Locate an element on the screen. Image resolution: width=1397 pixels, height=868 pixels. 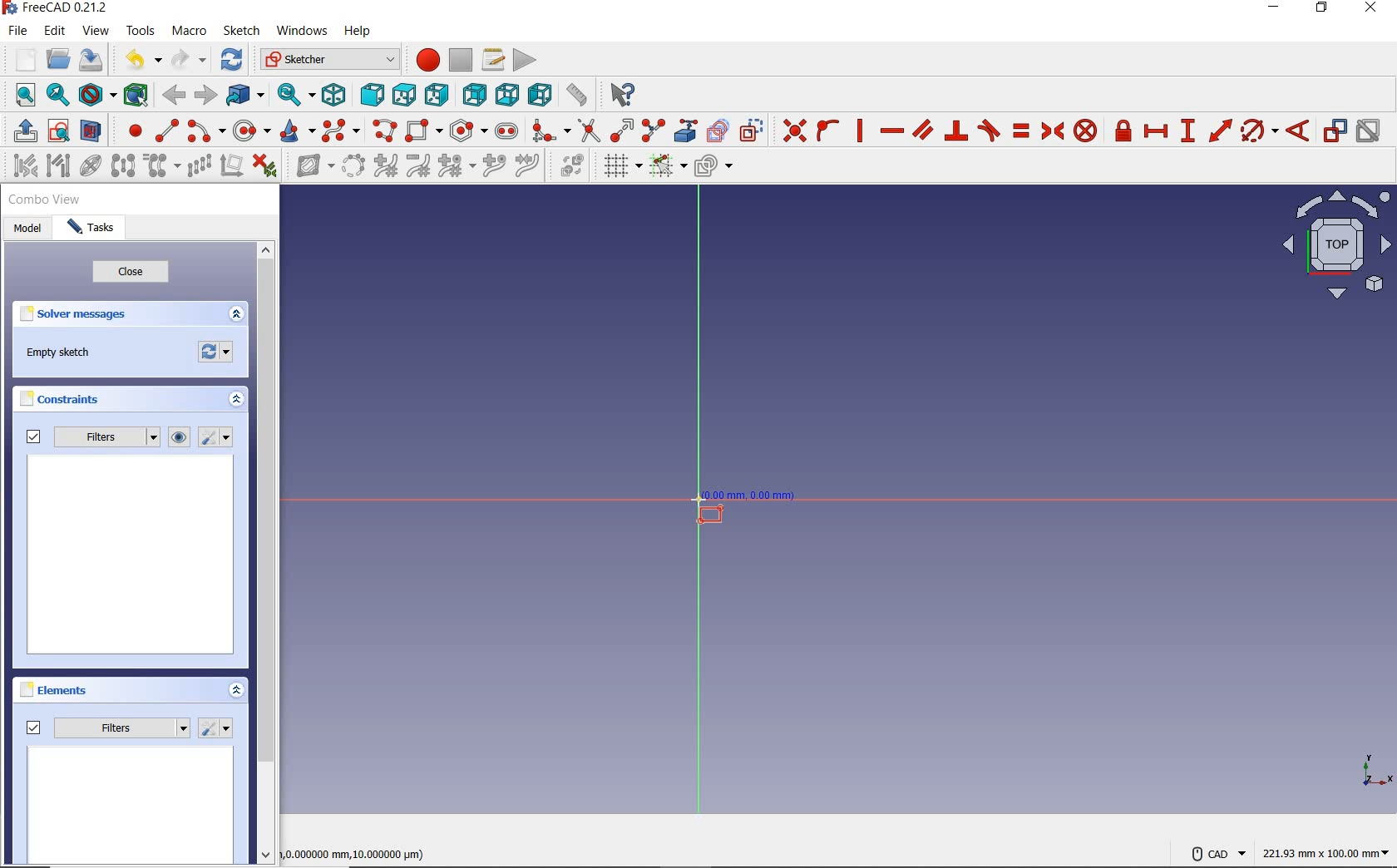
create carbon copy is located at coordinates (718, 131).